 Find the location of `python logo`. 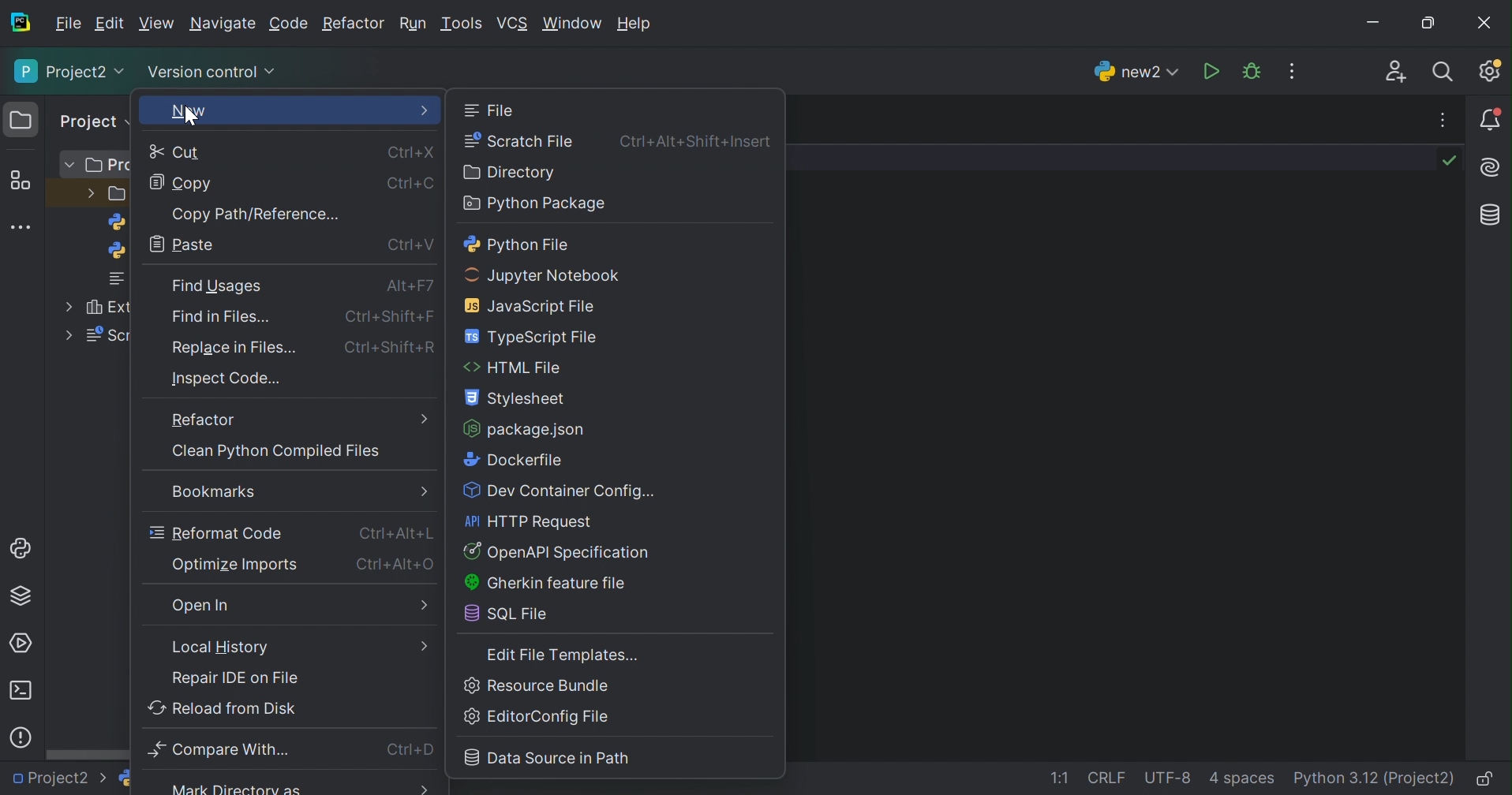

python logo is located at coordinates (119, 222).